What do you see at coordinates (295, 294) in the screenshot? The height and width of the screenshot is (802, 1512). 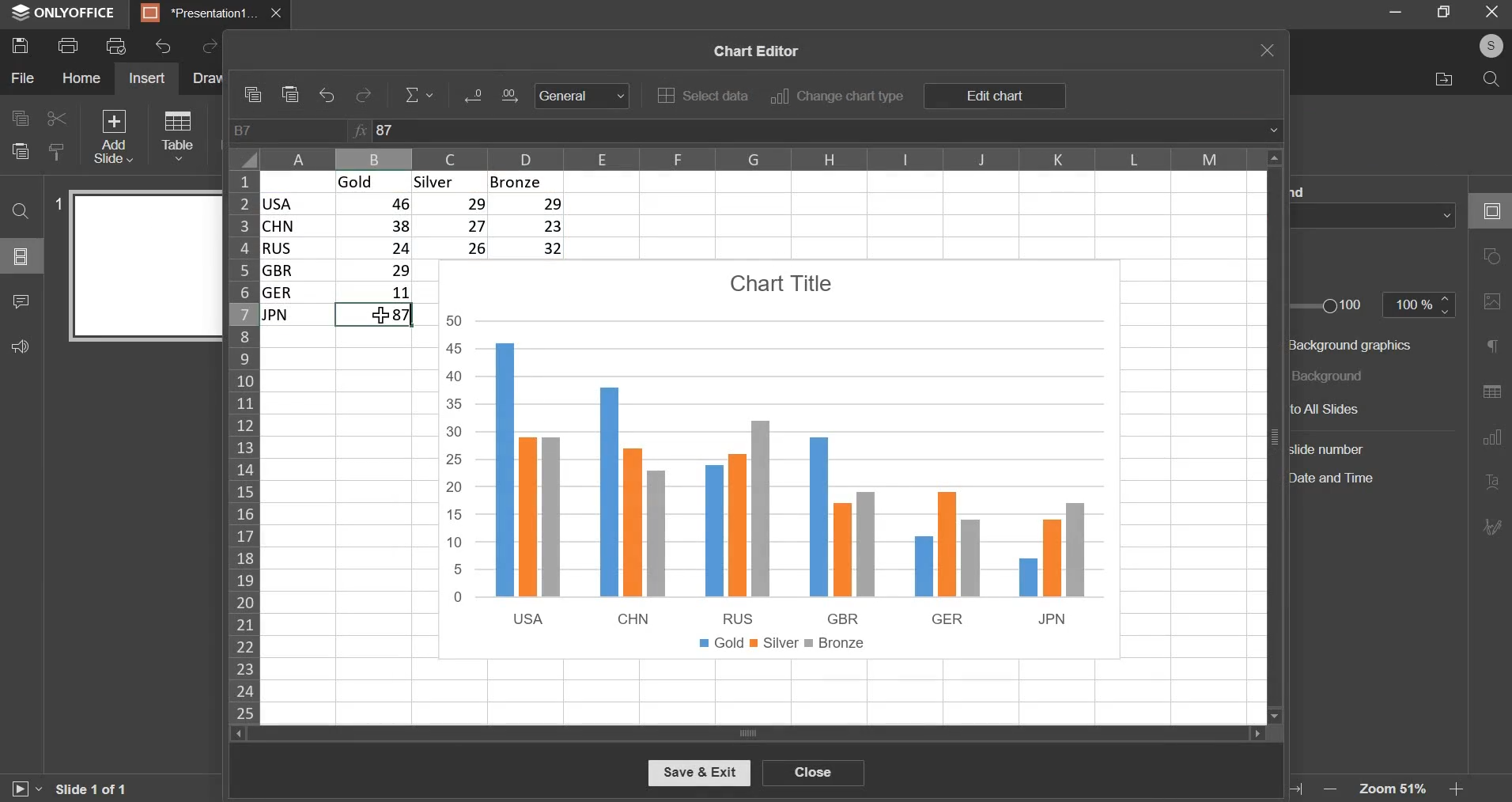 I see `ger` at bounding box center [295, 294].